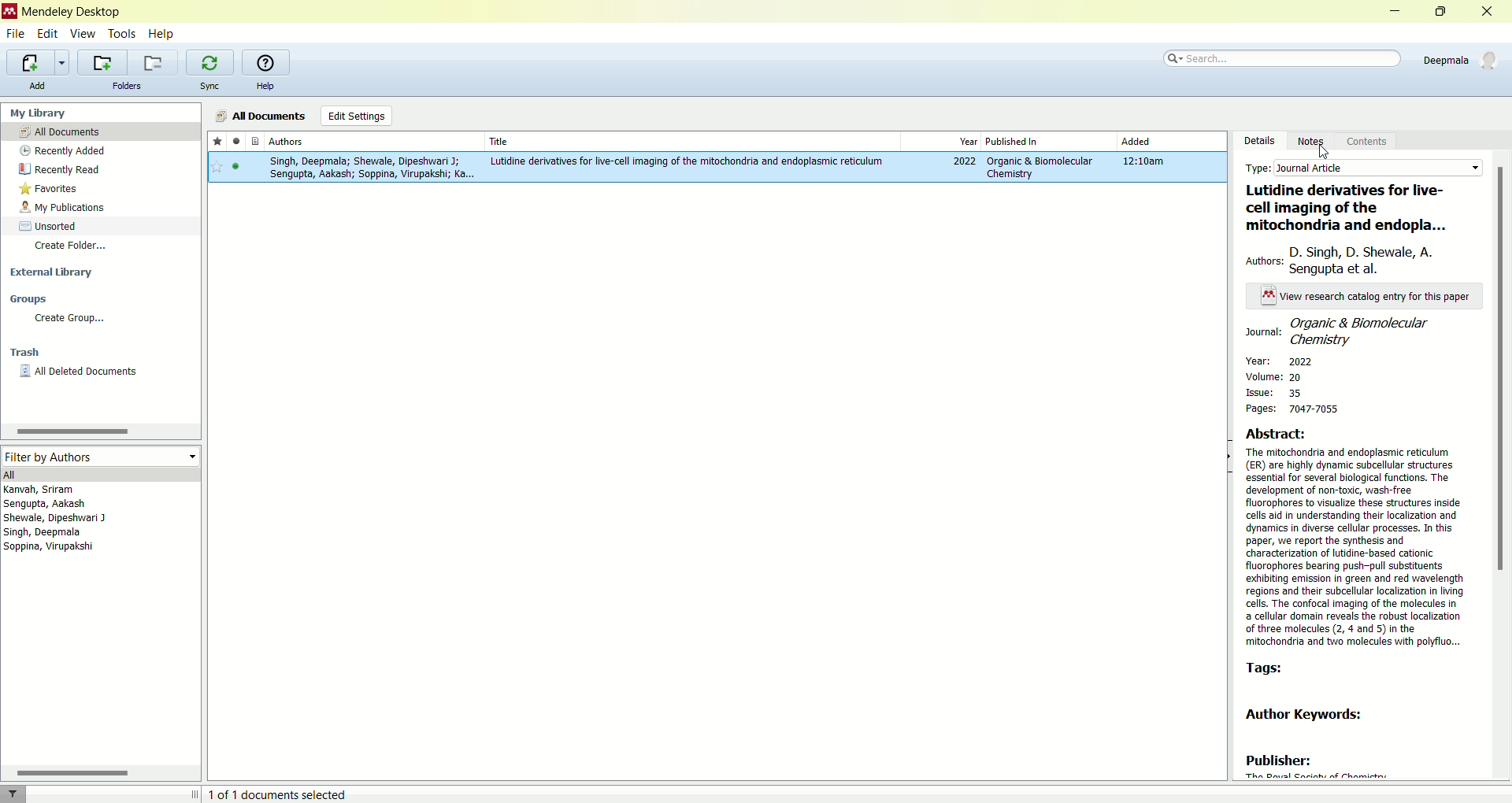 The image size is (1512, 803). I want to click on sync, so click(210, 85).